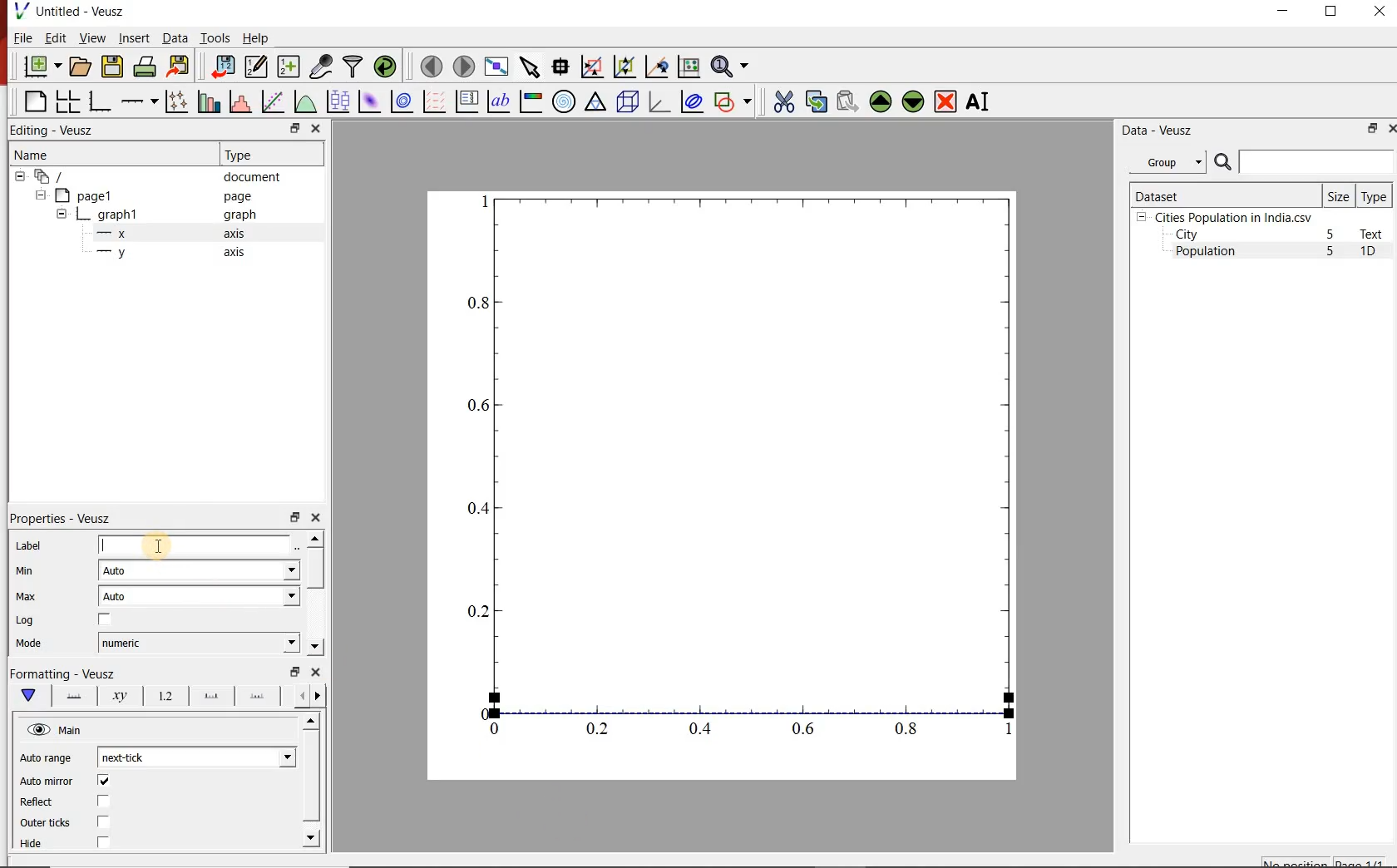  I want to click on histogram of a dataset, so click(238, 101).